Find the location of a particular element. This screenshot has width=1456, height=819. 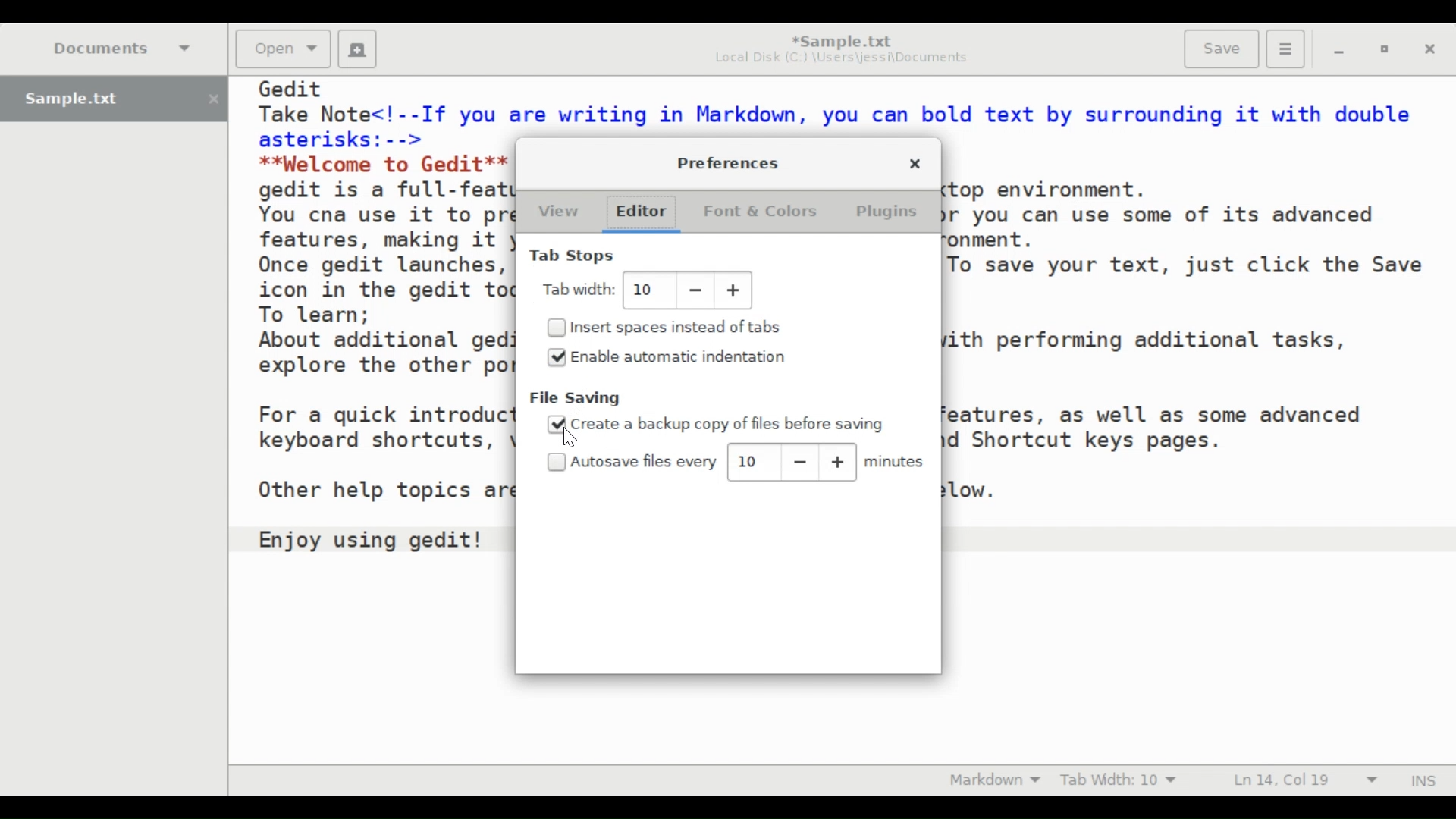

restore is located at coordinates (1382, 50).